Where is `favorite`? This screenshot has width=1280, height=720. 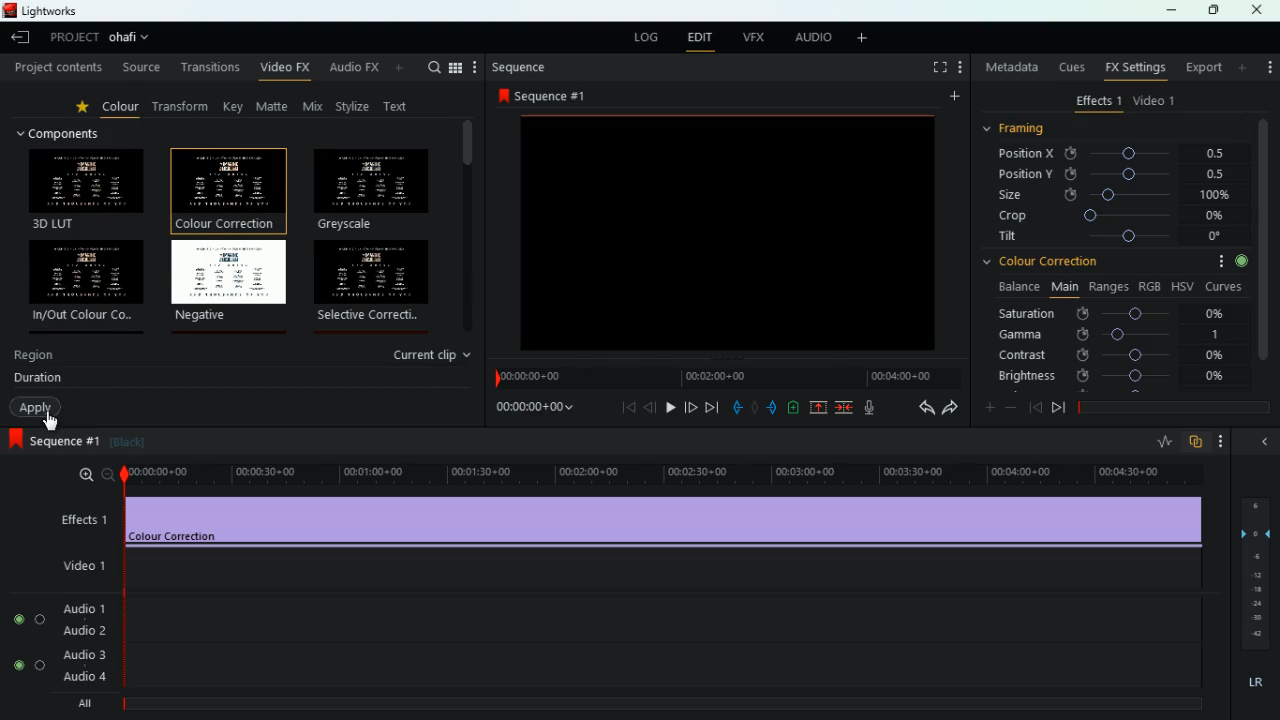 favorite is located at coordinates (86, 109).